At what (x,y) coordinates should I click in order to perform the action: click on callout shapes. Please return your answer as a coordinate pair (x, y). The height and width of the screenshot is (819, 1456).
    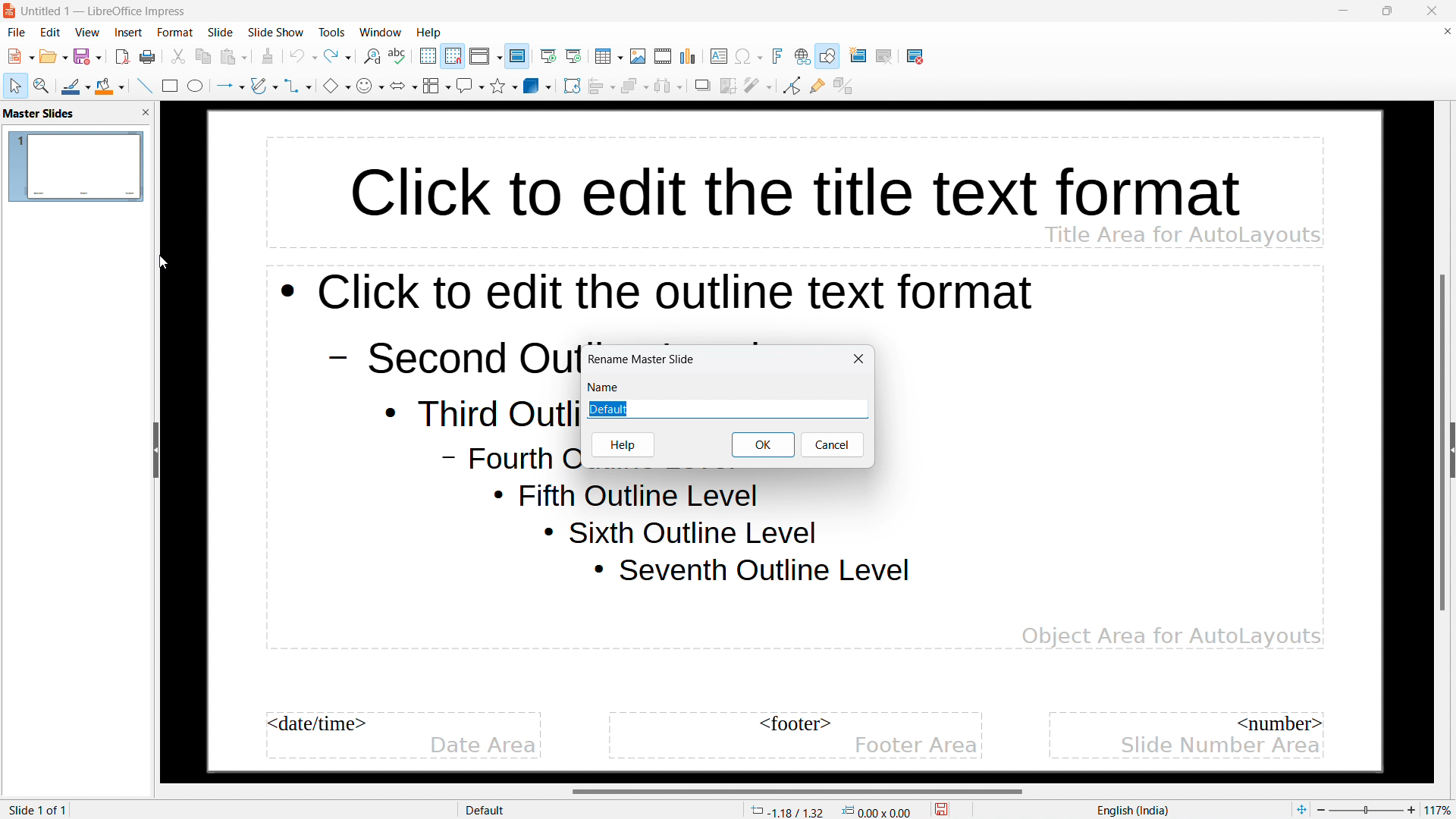
    Looking at the image, I should click on (470, 86).